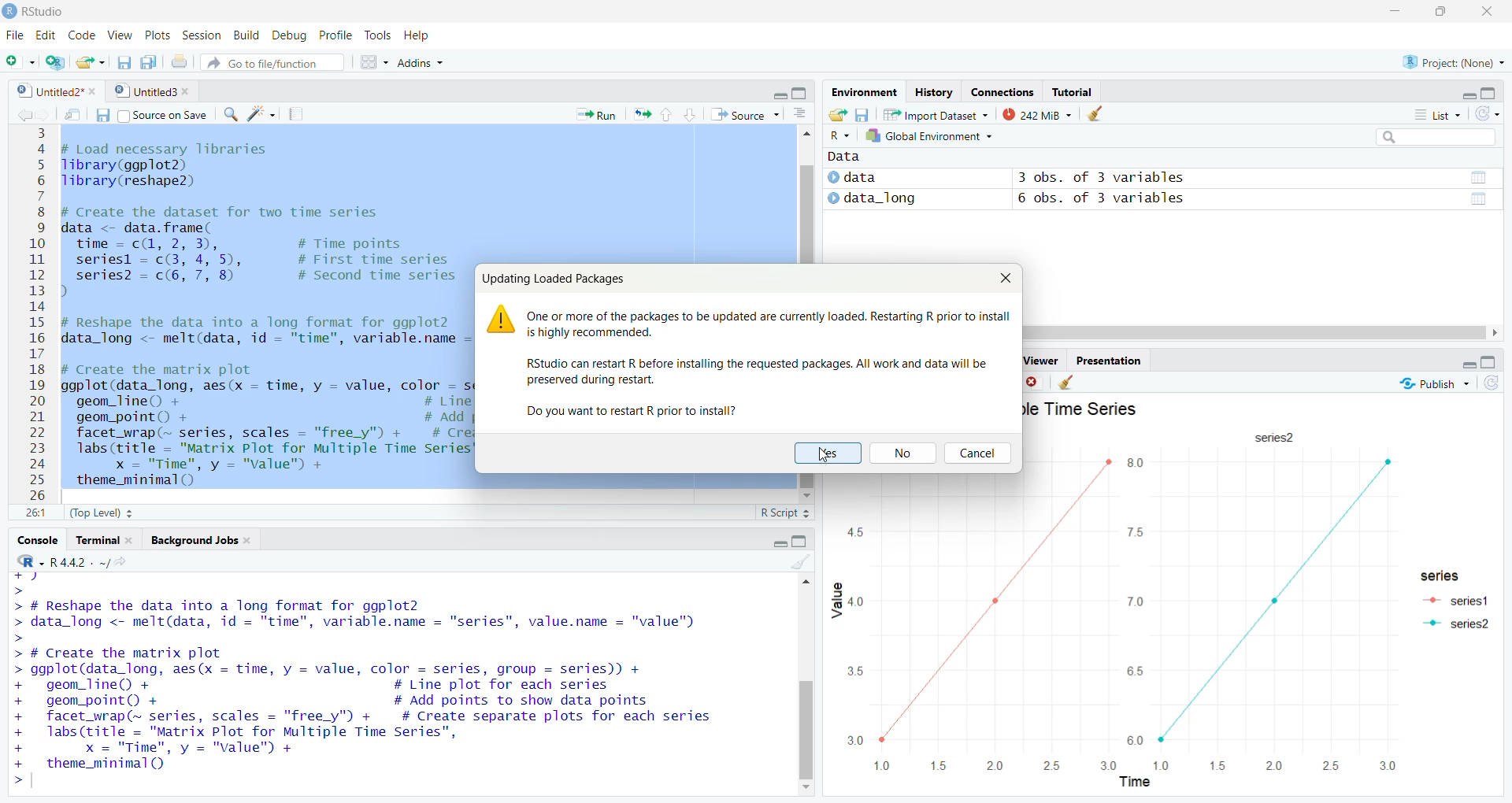 Image resolution: width=1512 pixels, height=803 pixels. Describe the element at coordinates (91, 61) in the screenshot. I see `open an existing file` at that location.